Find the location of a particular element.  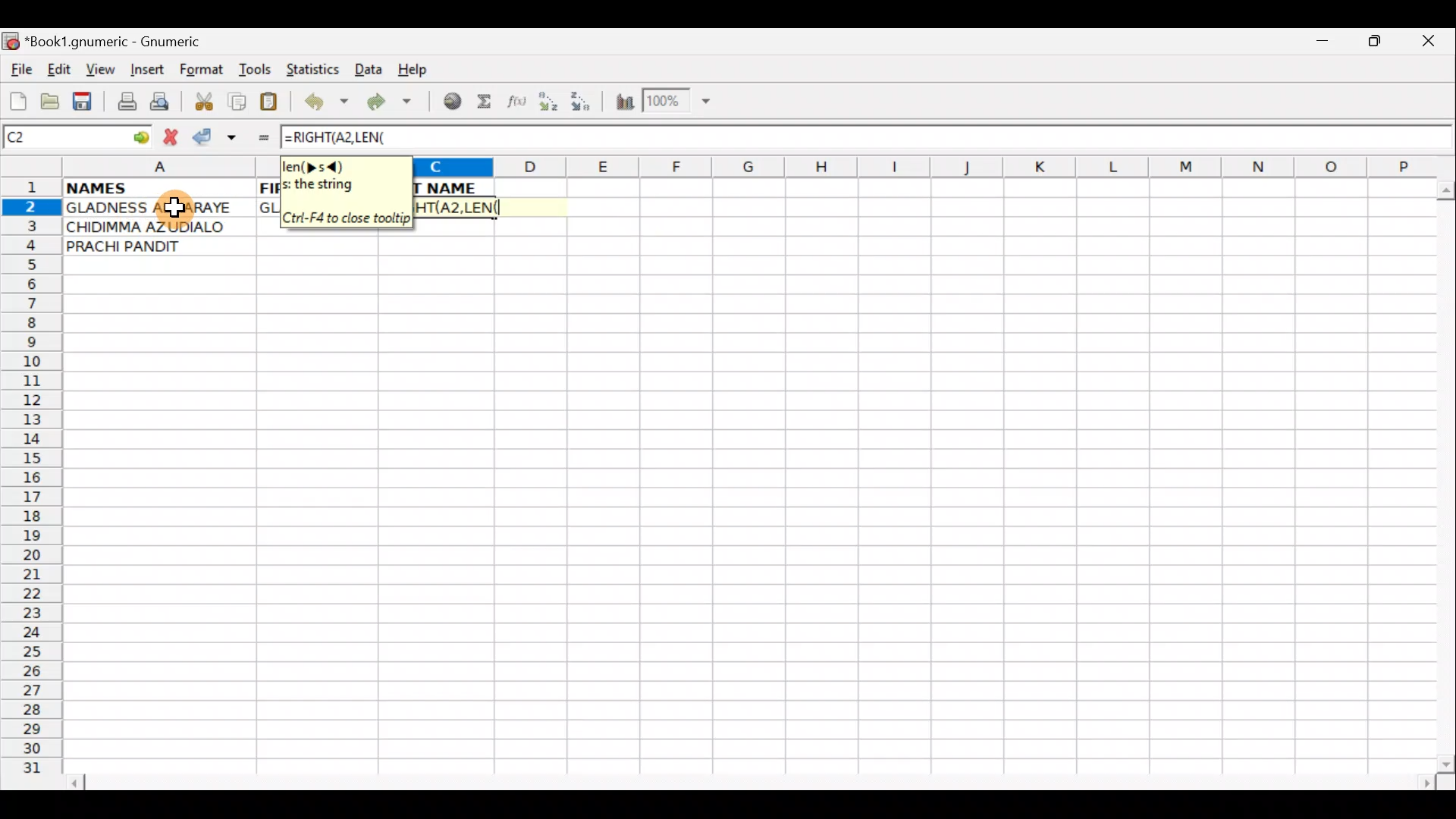

en(>s<)s; the string. Ctrl+F4 to close tooltip. is located at coordinates (347, 193).